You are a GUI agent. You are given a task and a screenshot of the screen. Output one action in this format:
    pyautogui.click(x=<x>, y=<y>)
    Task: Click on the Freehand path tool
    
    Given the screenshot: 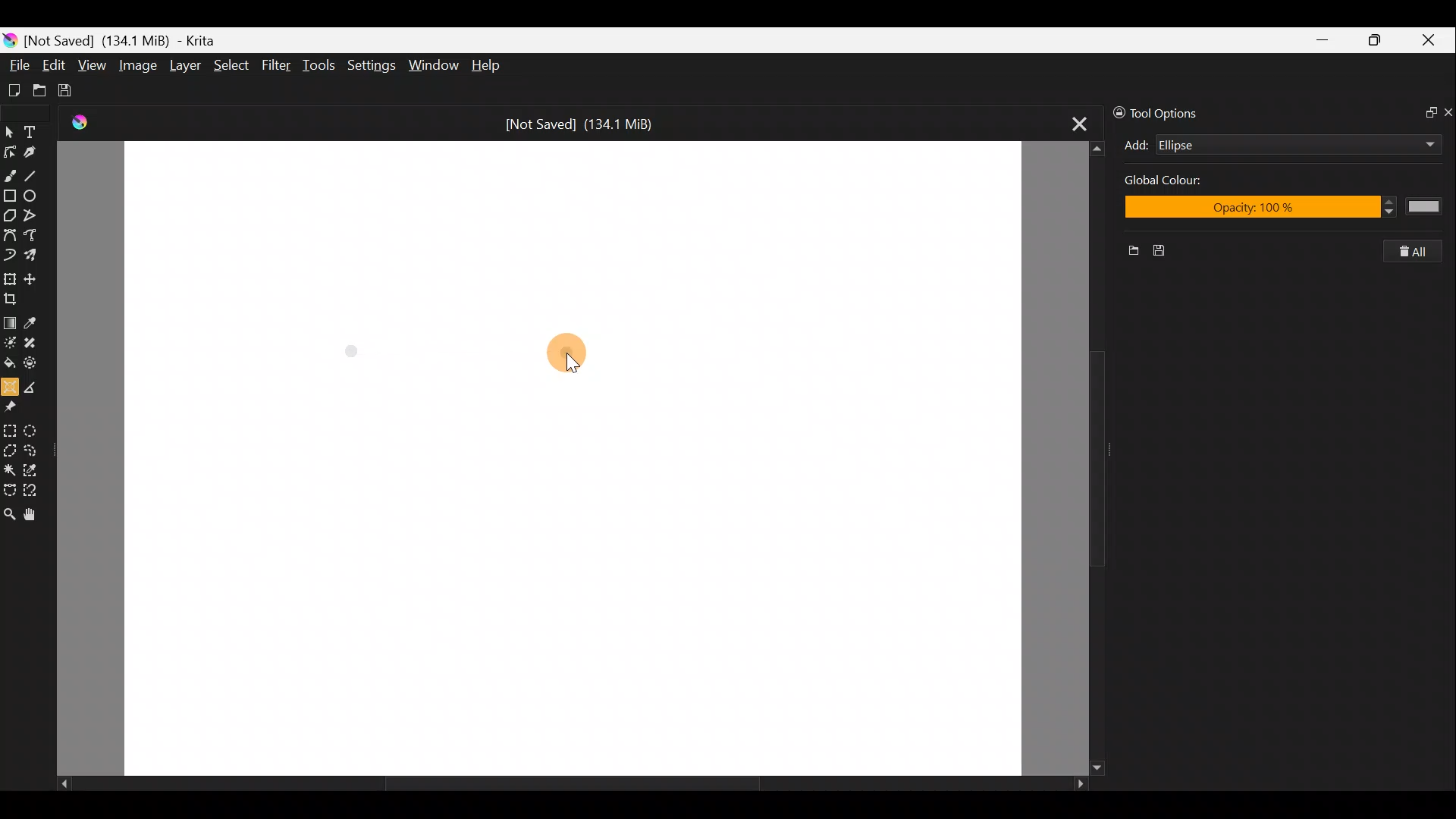 What is the action you would take?
    pyautogui.click(x=31, y=236)
    